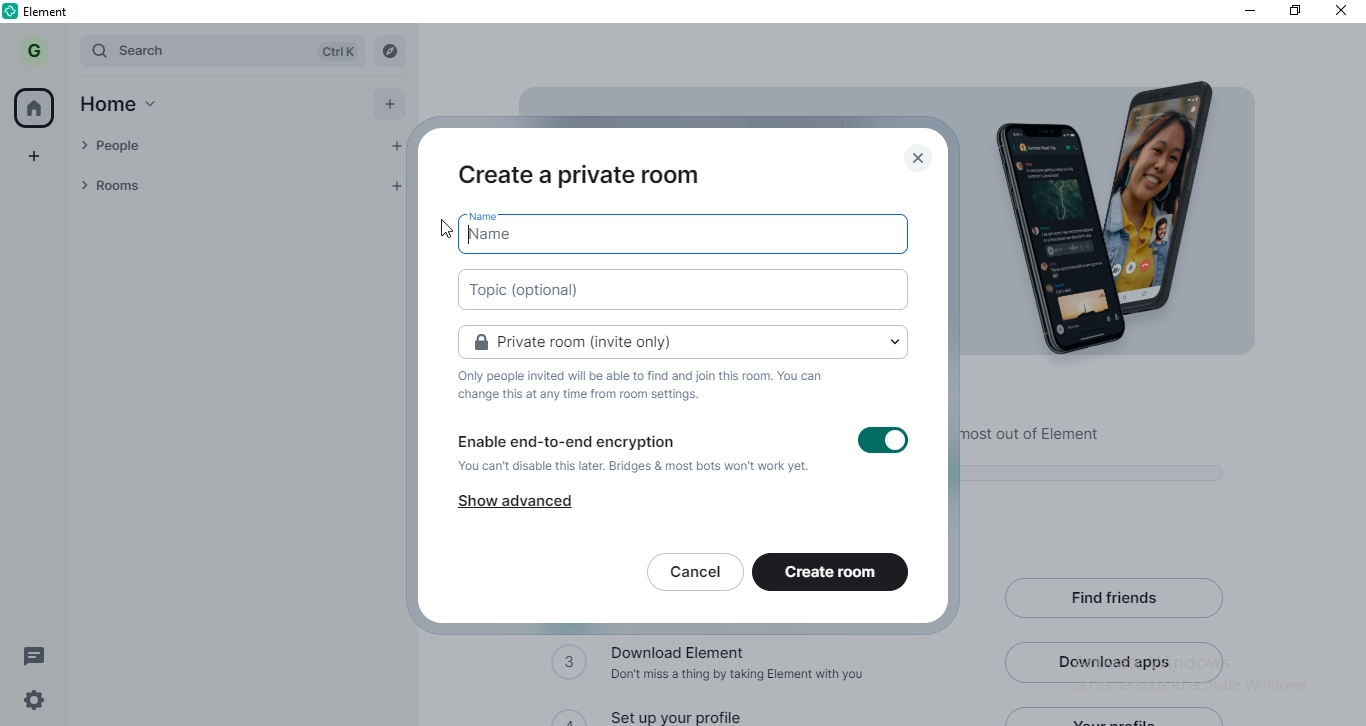 Image resolution: width=1366 pixels, height=726 pixels. Describe the element at coordinates (688, 713) in the screenshot. I see `set up your profile` at that location.